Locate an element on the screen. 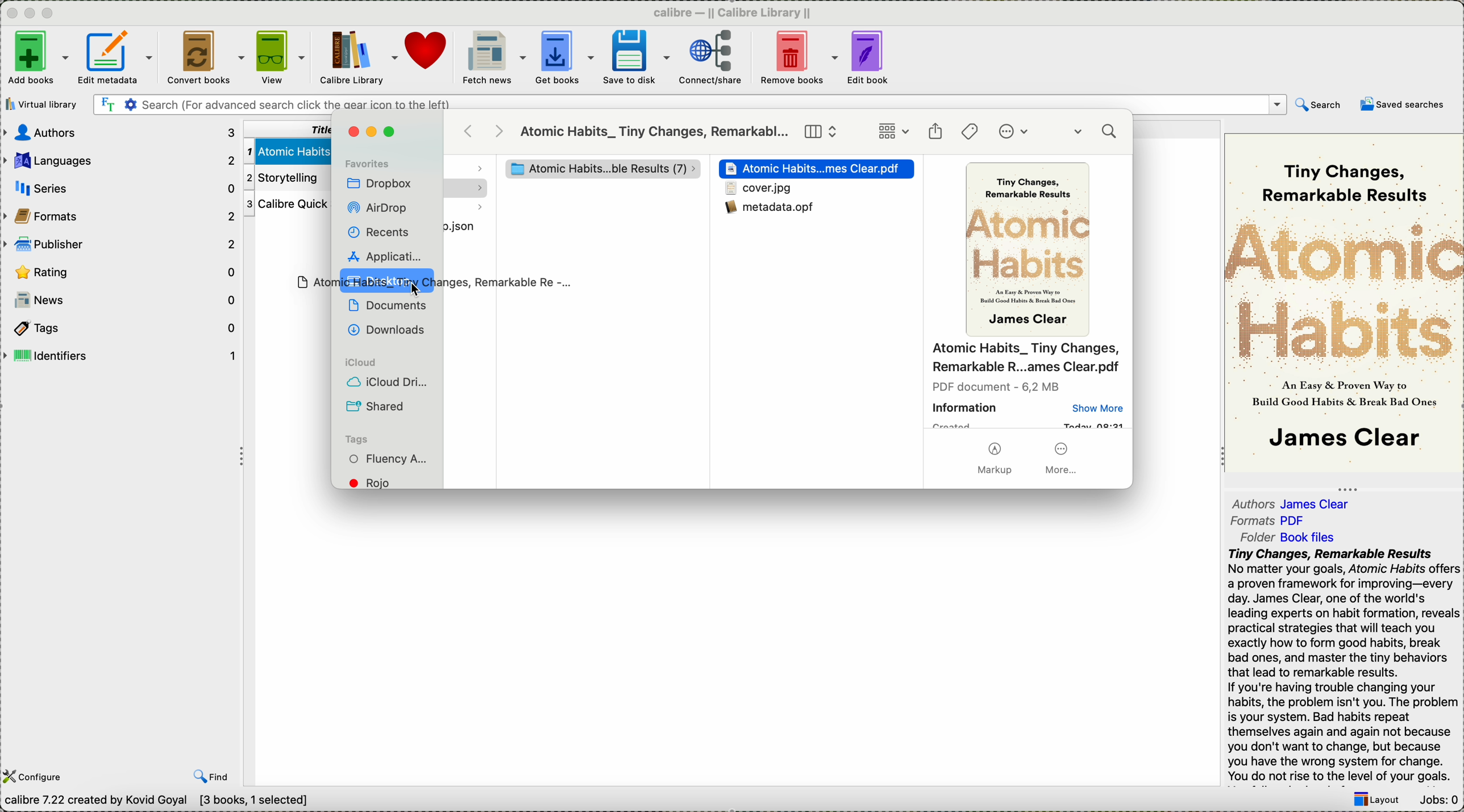 The height and width of the screenshot is (812, 1464). get books is located at coordinates (564, 59).